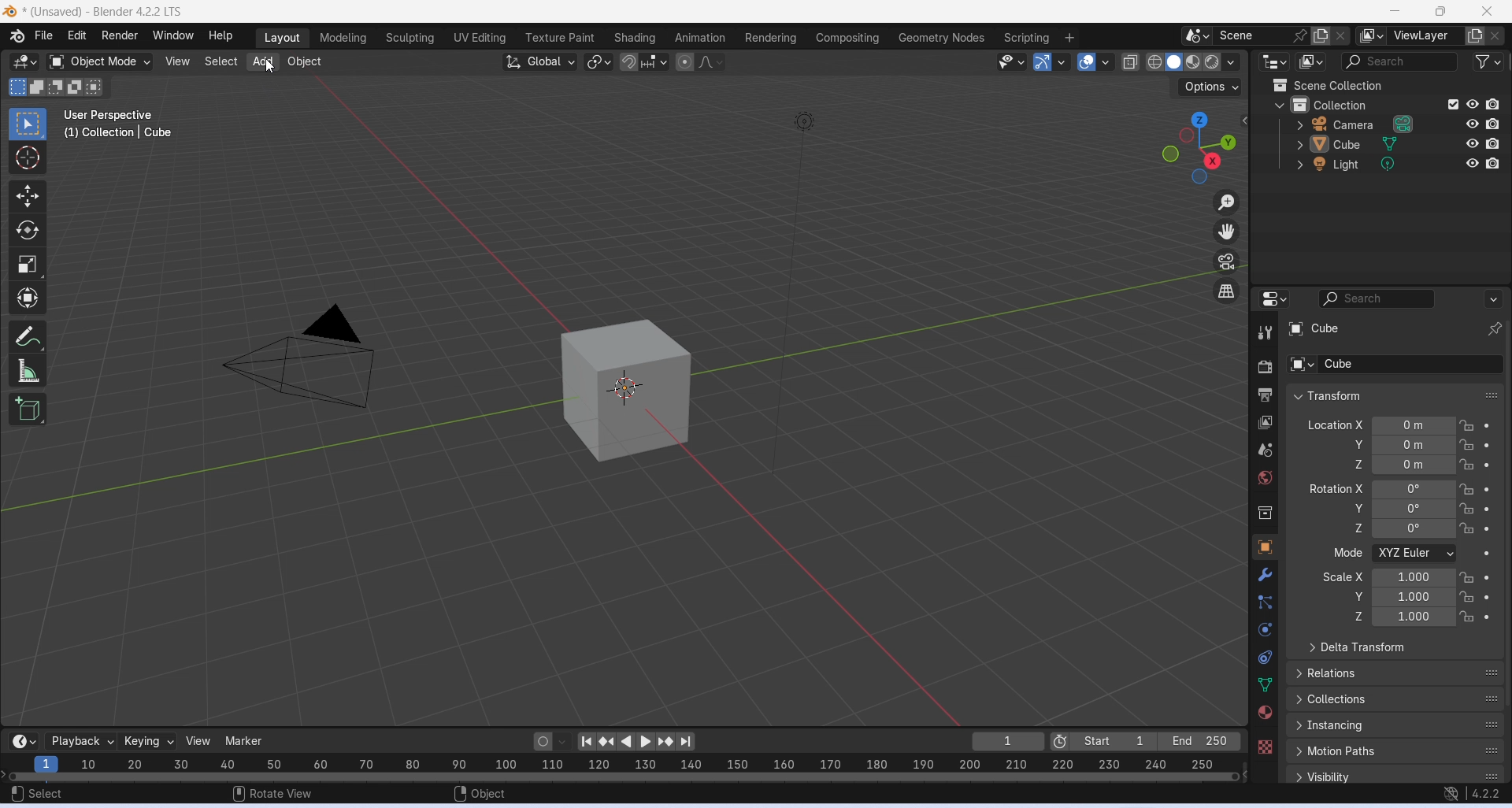 This screenshot has height=808, width=1512. Describe the element at coordinates (119, 35) in the screenshot. I see `Render` at that location.